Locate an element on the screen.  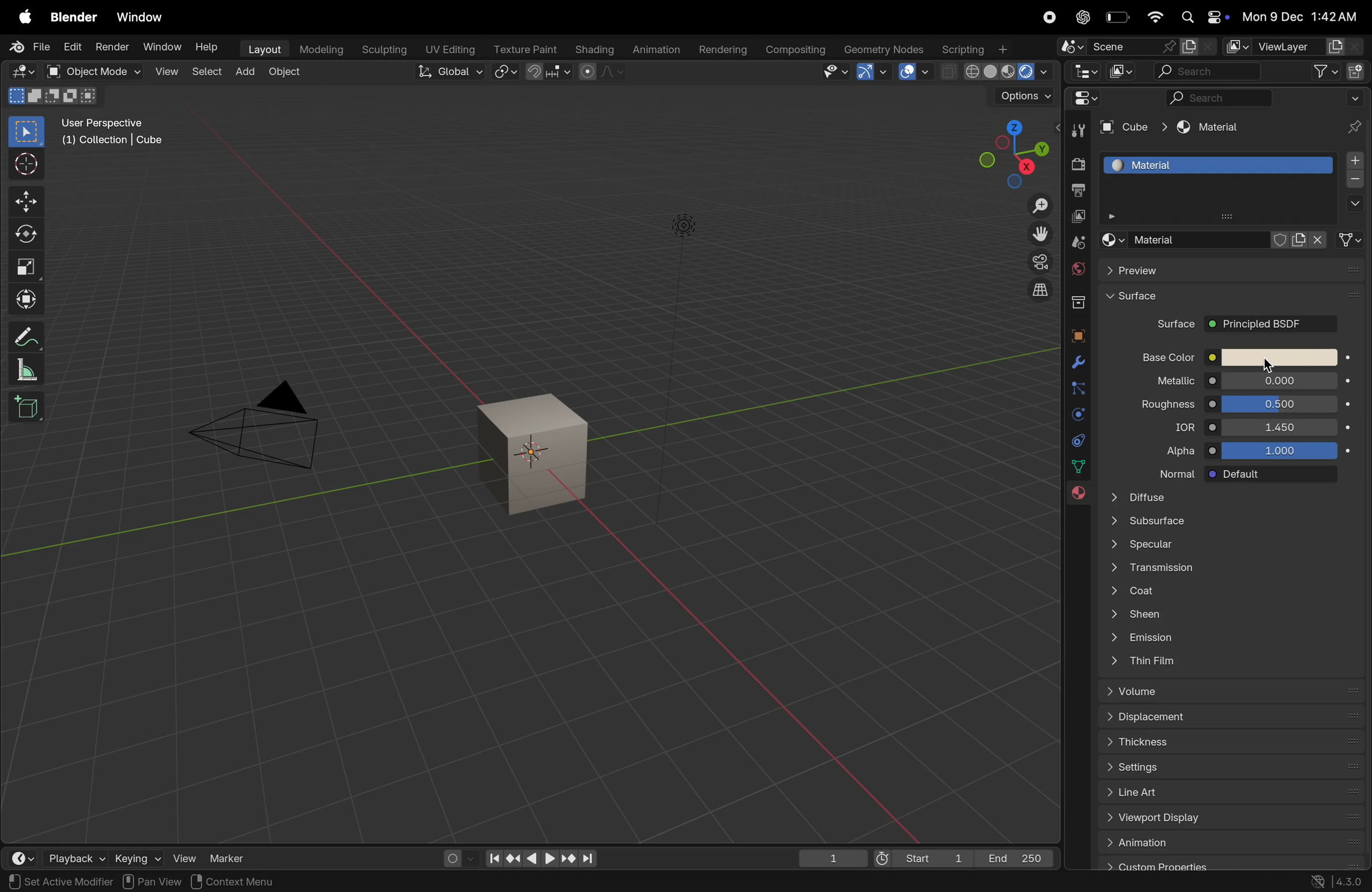
object mode is located at coordinates (287, 74).